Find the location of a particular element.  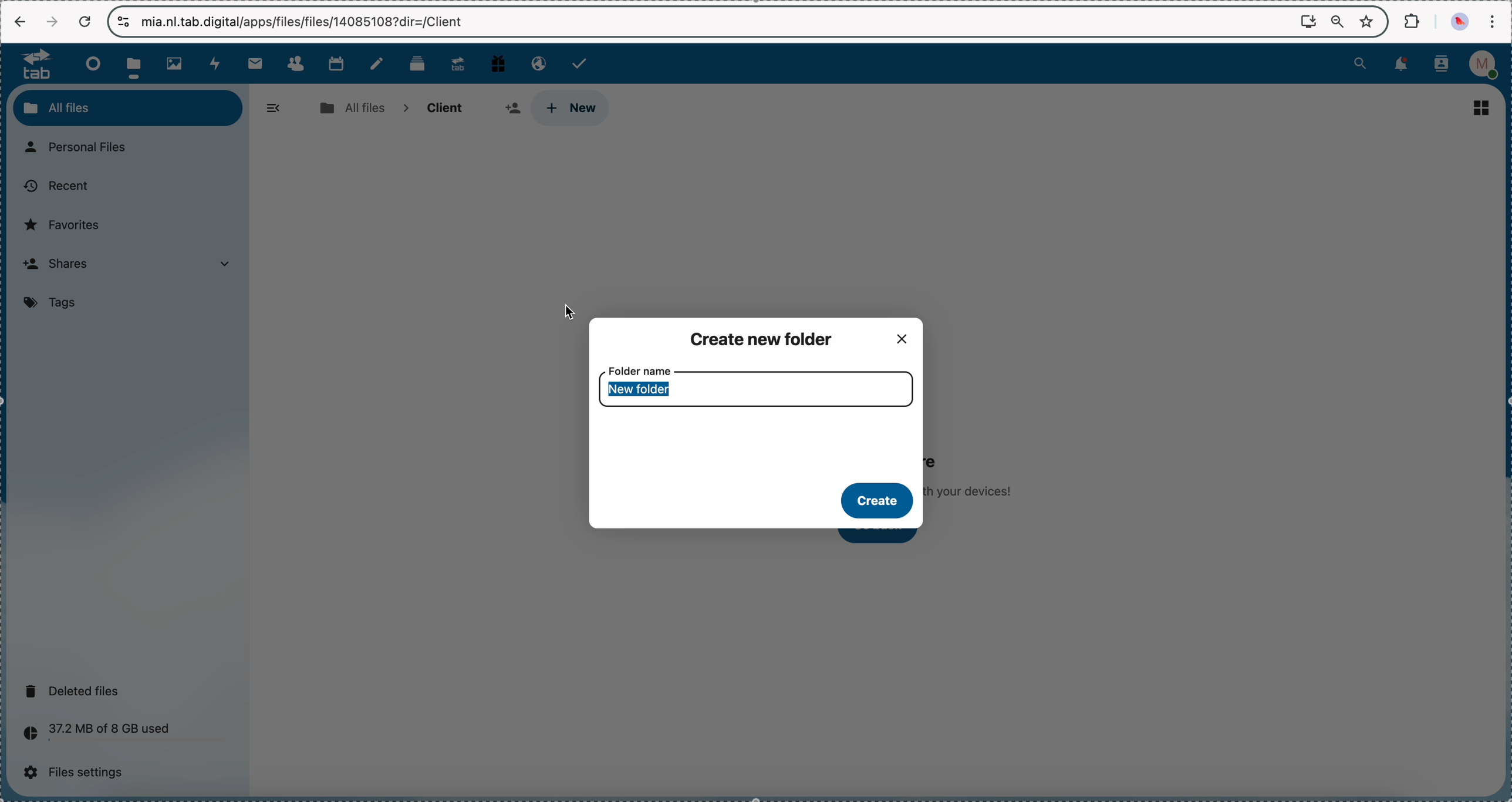

photos is located at coordinates (178, 64).